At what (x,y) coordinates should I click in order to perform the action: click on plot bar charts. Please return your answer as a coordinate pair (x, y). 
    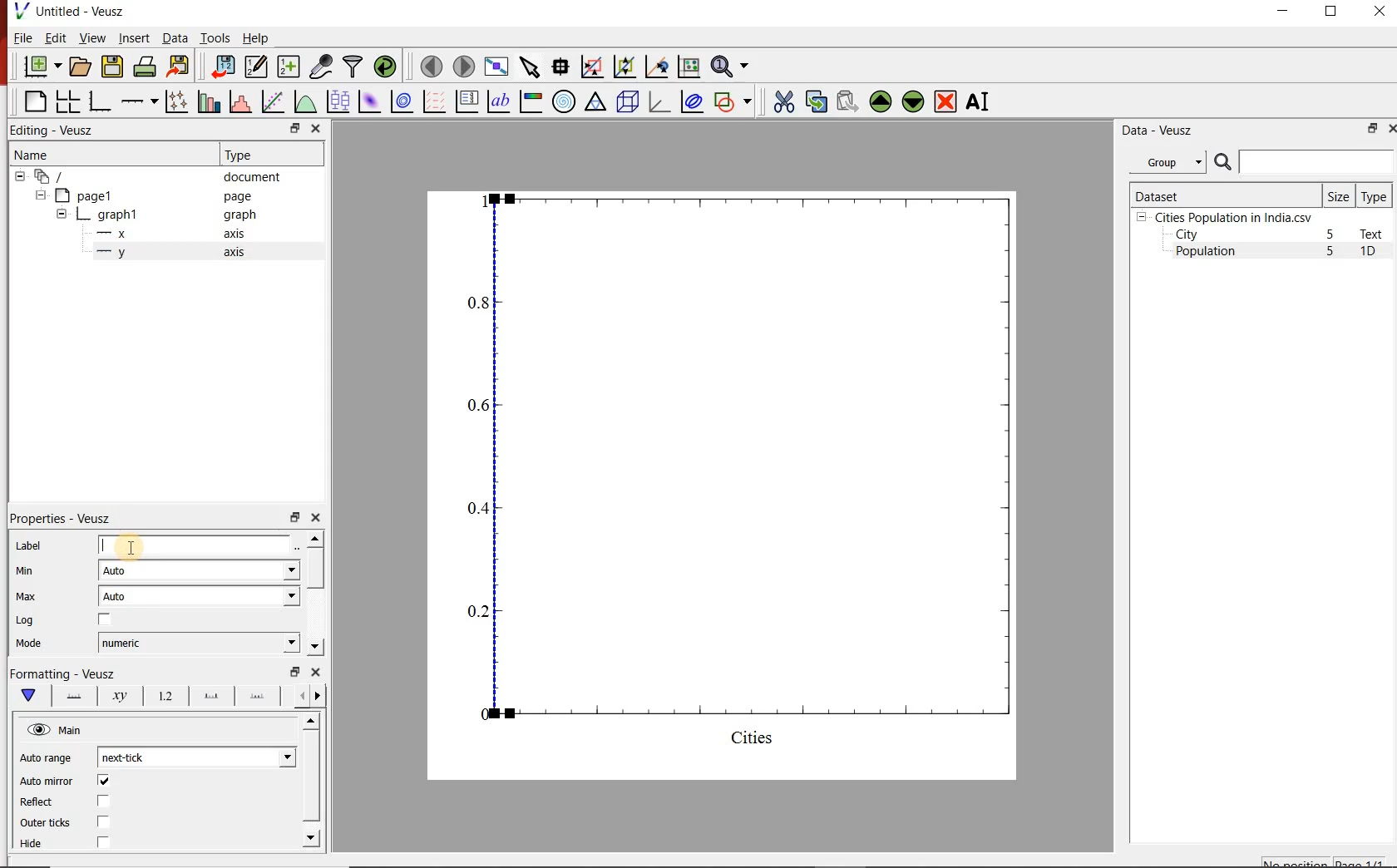
    Looking at the image, I should click on (206, 101).